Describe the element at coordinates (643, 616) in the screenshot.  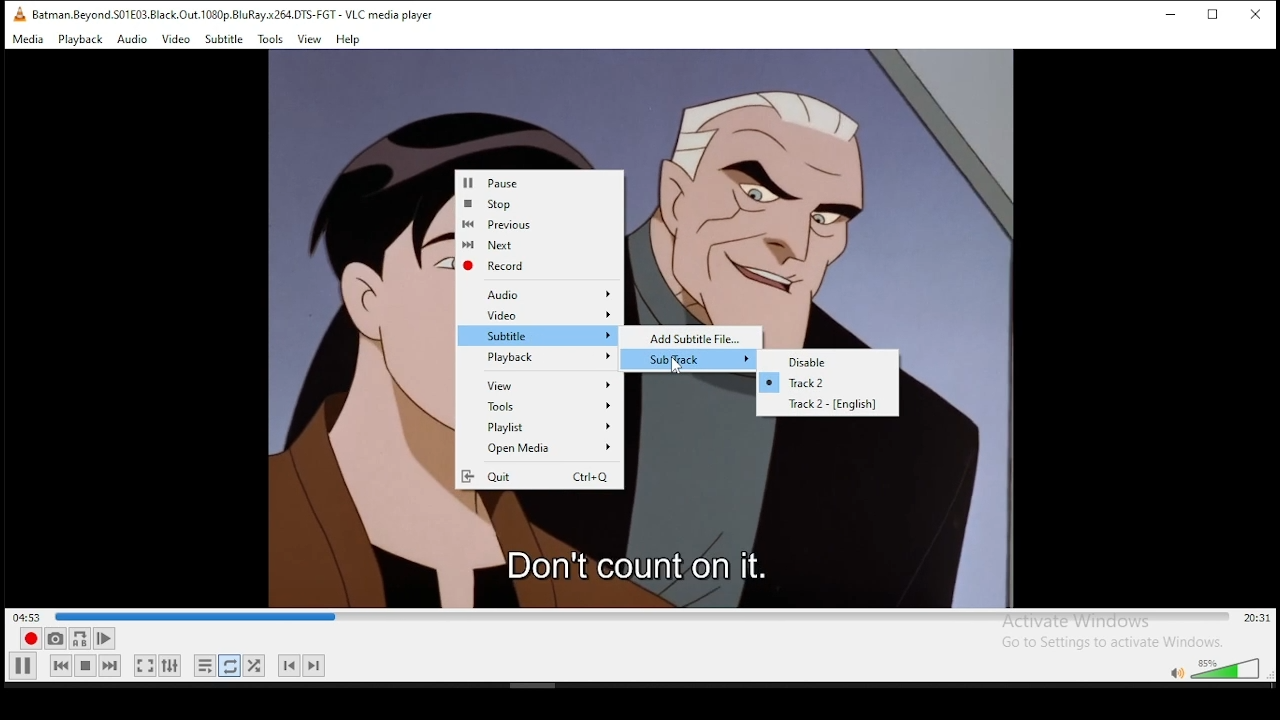
I see `progress bar` at that location.